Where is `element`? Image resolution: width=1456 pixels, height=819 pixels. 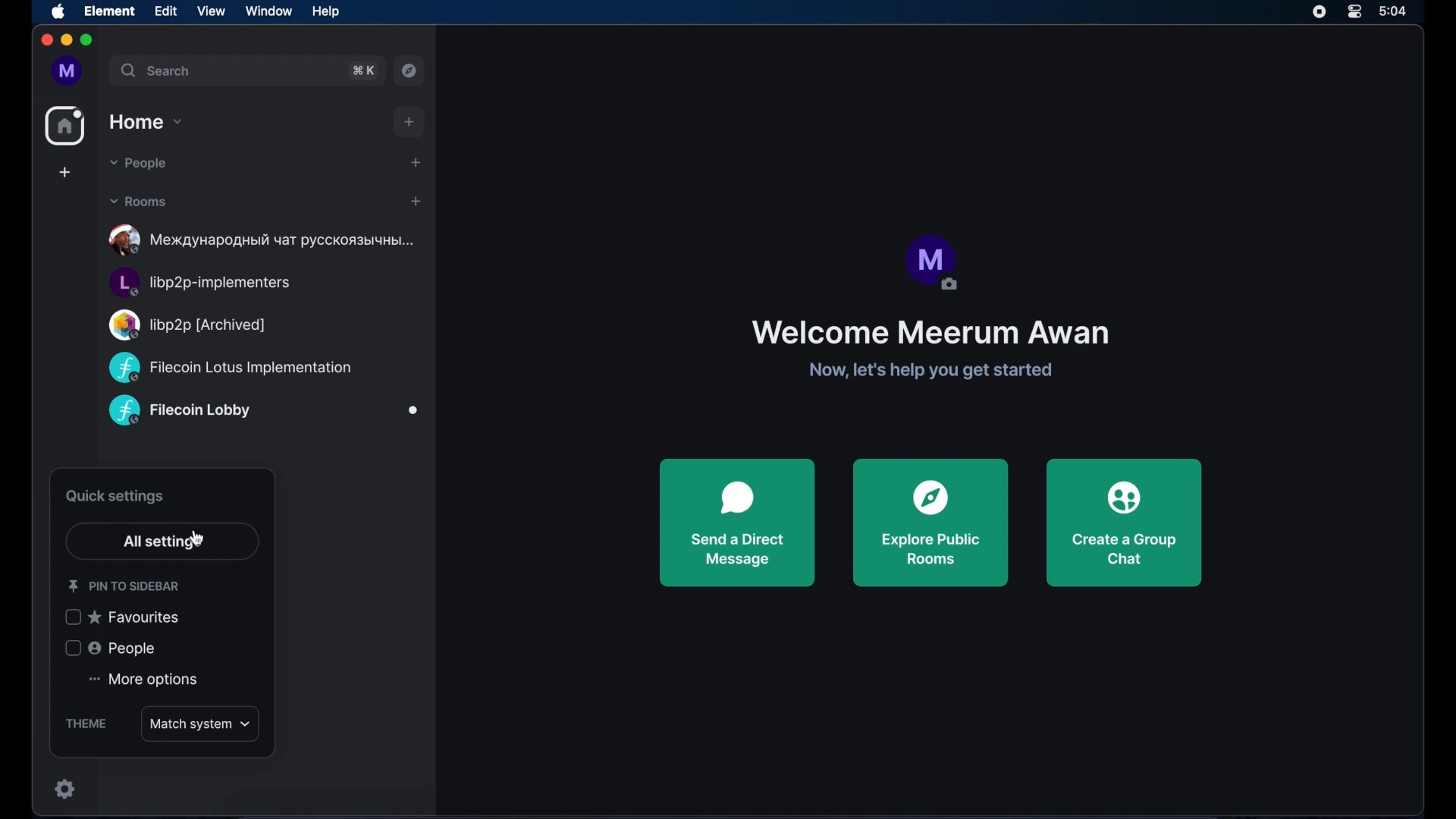 element is located at coordinates (110, 11).